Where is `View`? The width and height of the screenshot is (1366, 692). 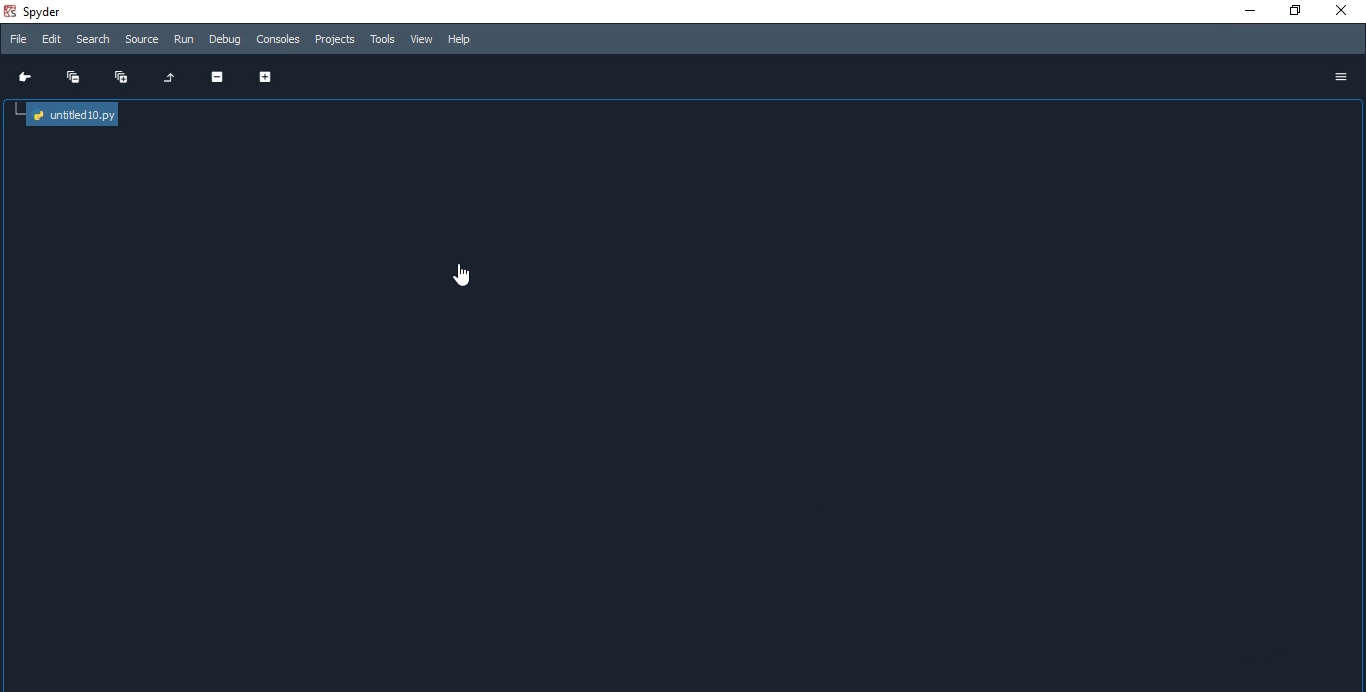 View is located at coordinates (422, 38).